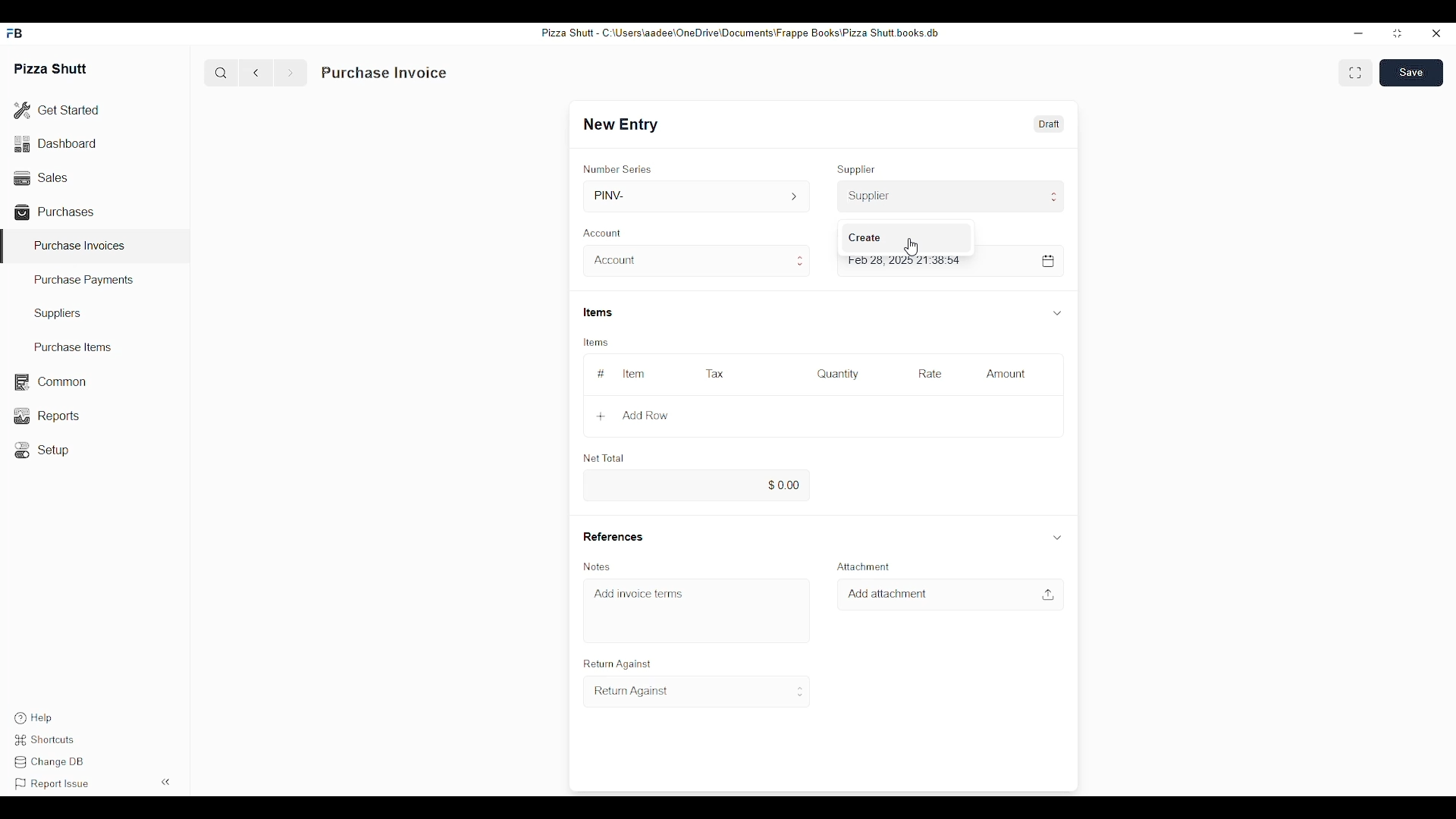 This screenshot has width=1456, height=819. I want to click on Number Series, so click(617, 168).